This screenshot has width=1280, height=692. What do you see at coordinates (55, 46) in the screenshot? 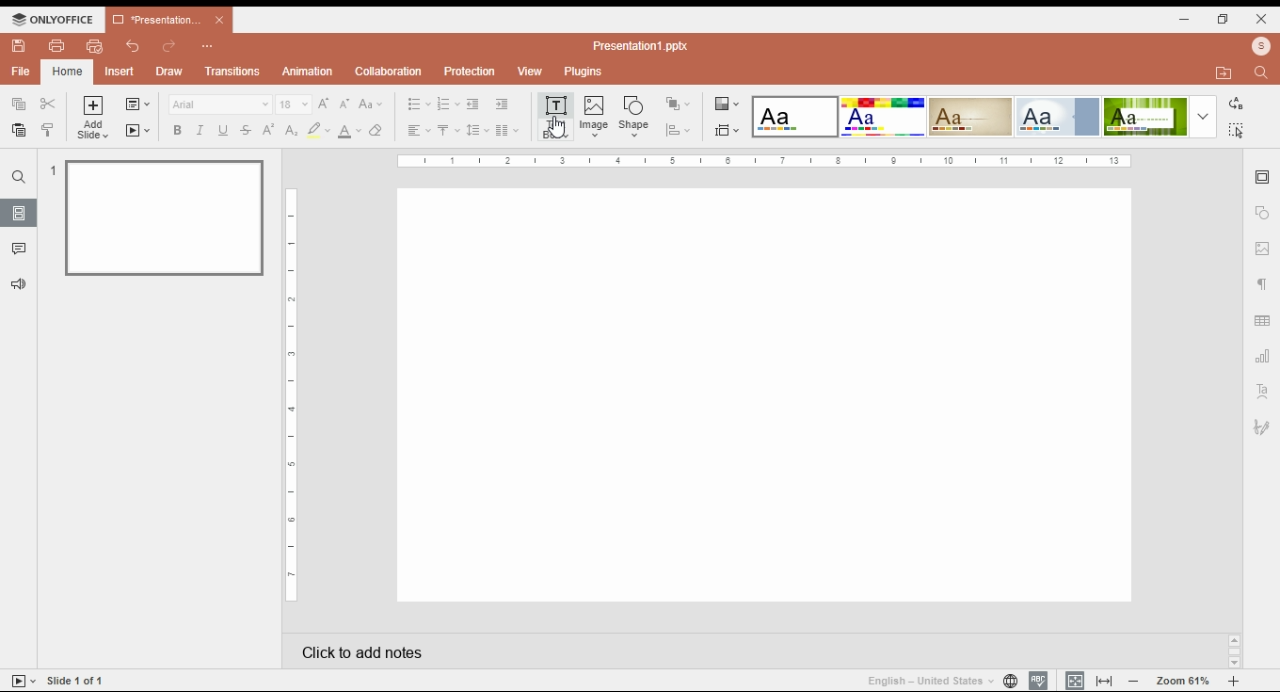
I see `print file` at bounding box center [55, 46].